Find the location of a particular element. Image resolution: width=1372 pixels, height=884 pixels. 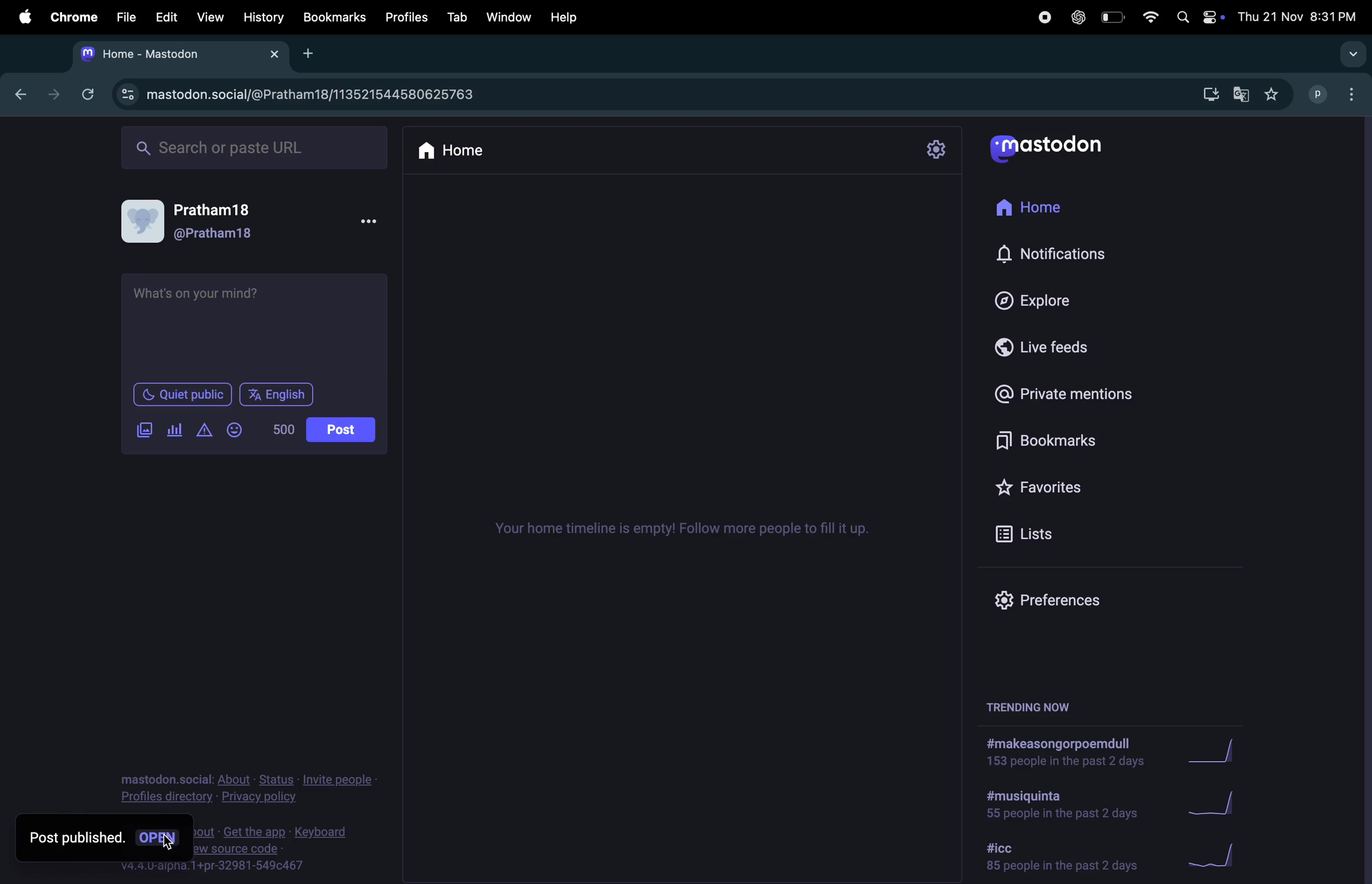

add poll is located at coordinates (174, 429).